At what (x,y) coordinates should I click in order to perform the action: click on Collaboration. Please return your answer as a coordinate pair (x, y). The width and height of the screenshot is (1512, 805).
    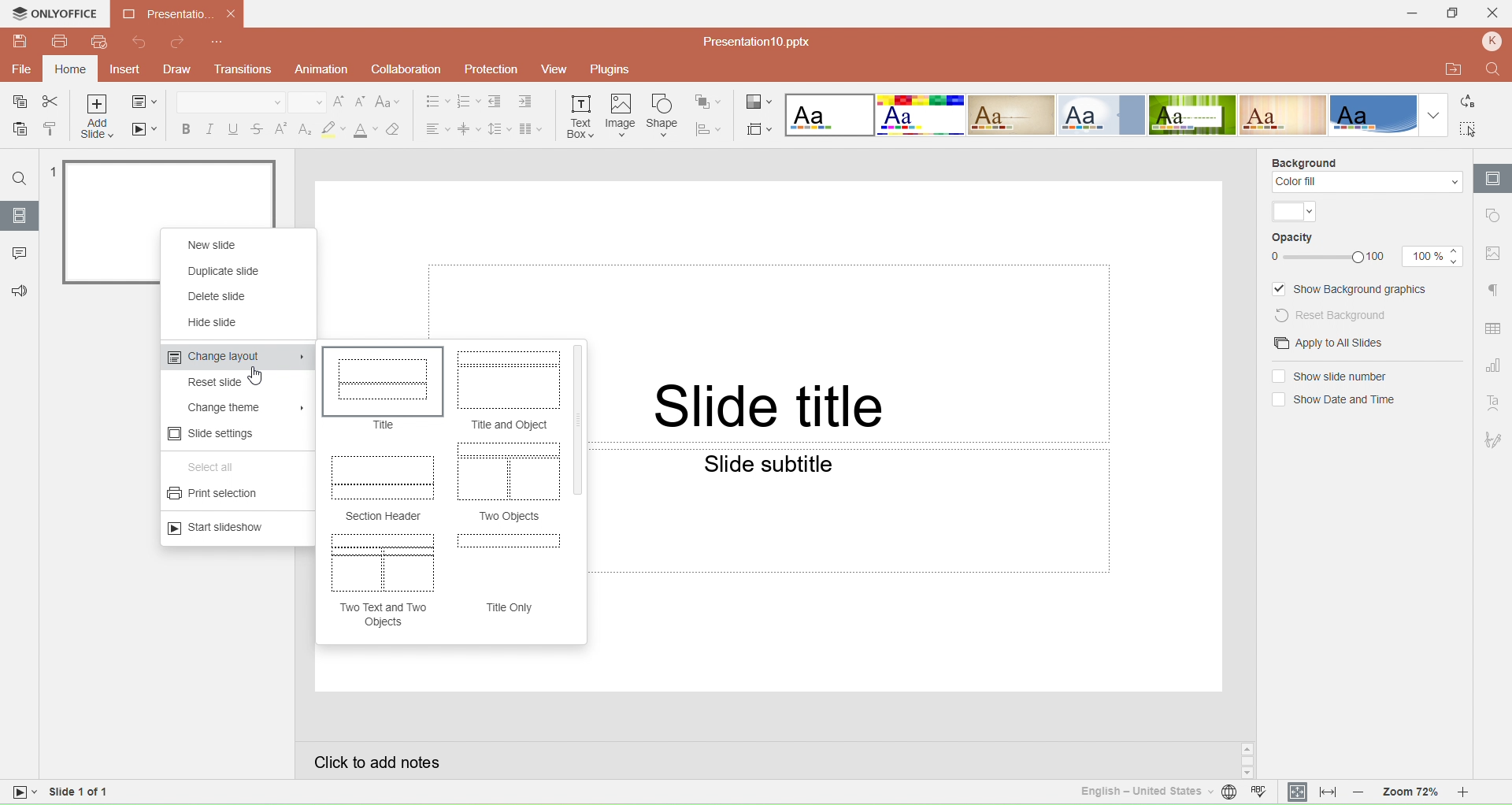
    Looking at the image, I should click on (403, 69).